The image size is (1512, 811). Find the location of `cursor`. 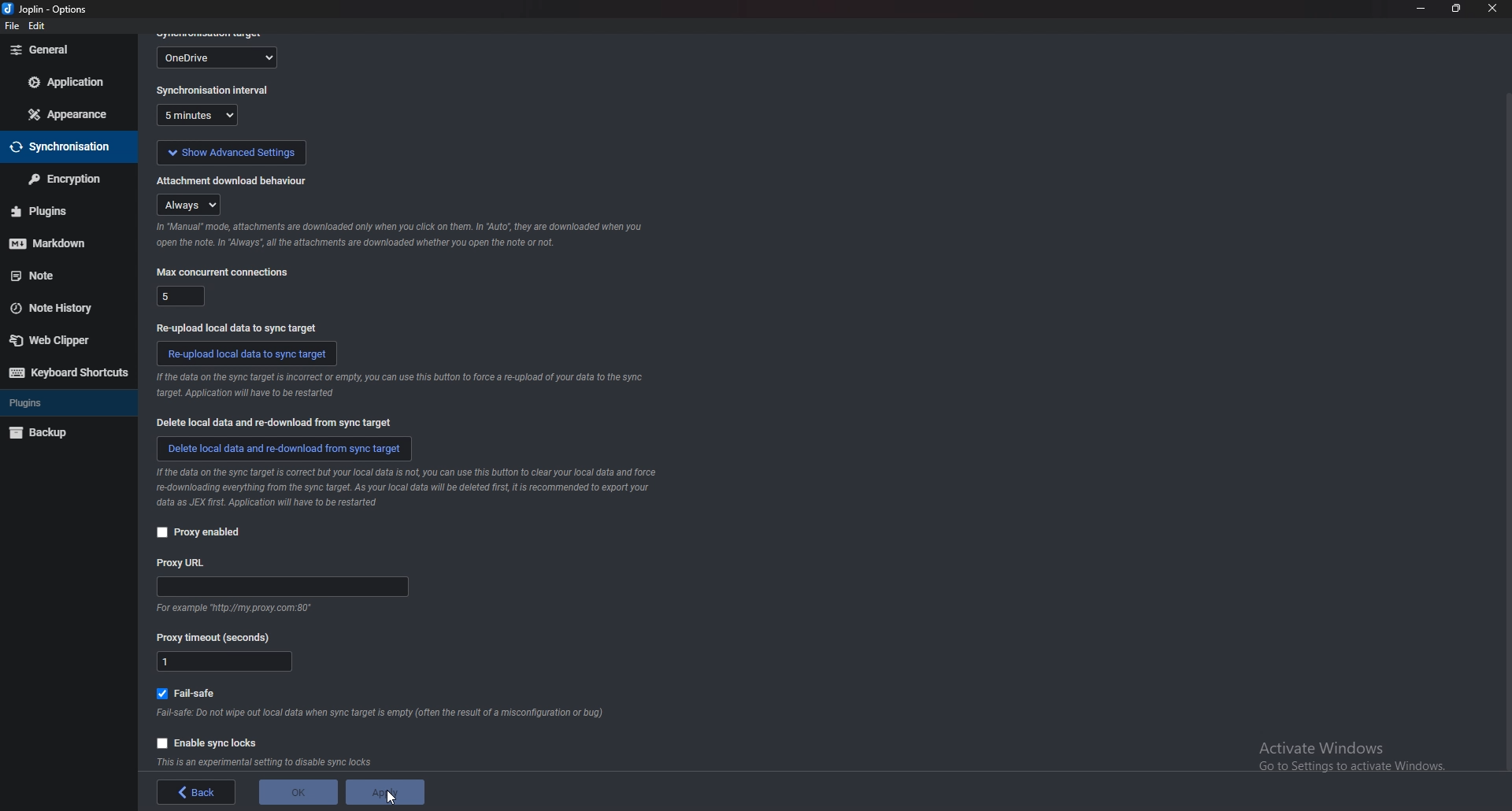

cursor is located at coordinates (395, 798).